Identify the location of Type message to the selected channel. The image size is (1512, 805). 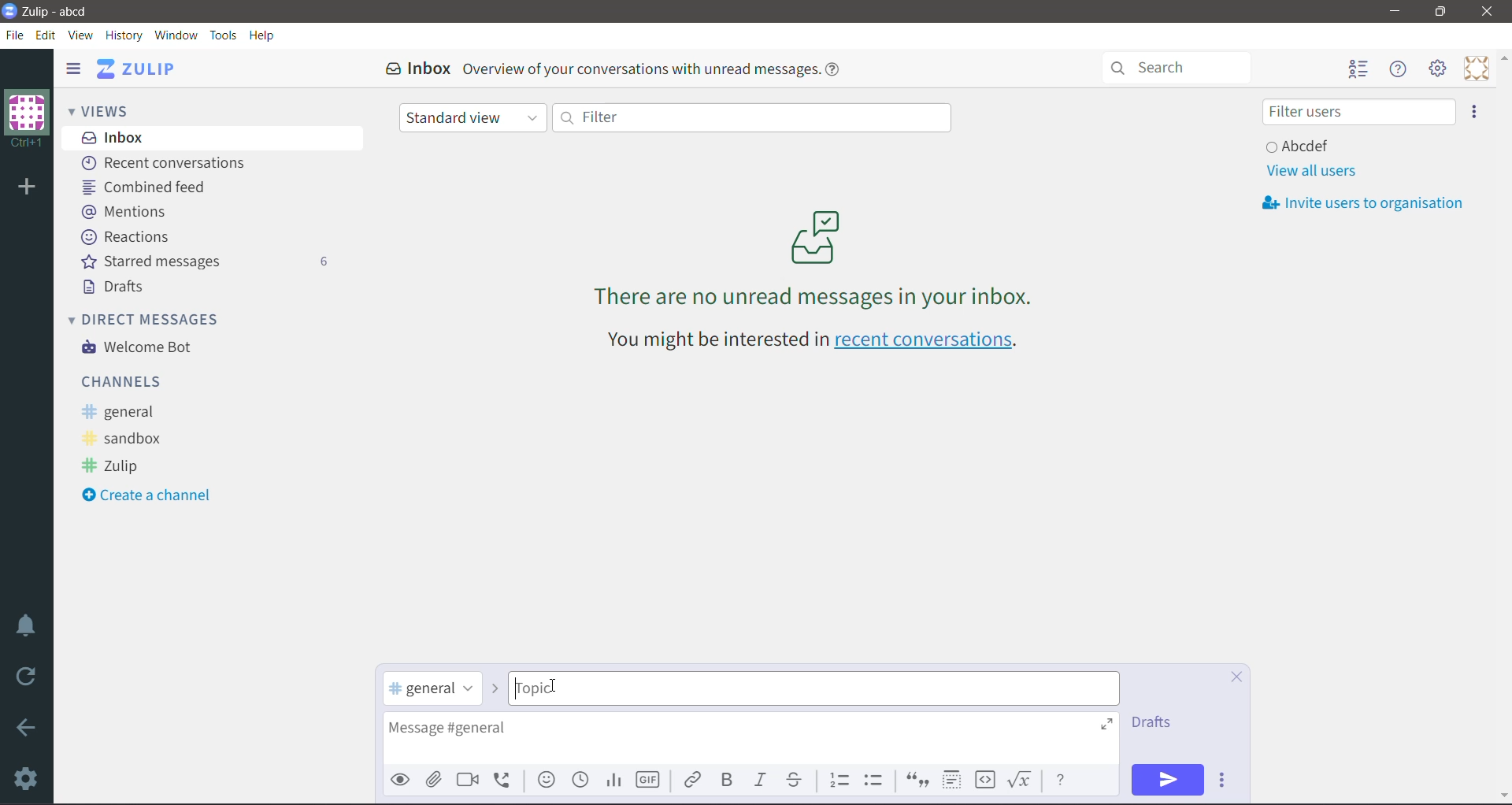
(750, 739).